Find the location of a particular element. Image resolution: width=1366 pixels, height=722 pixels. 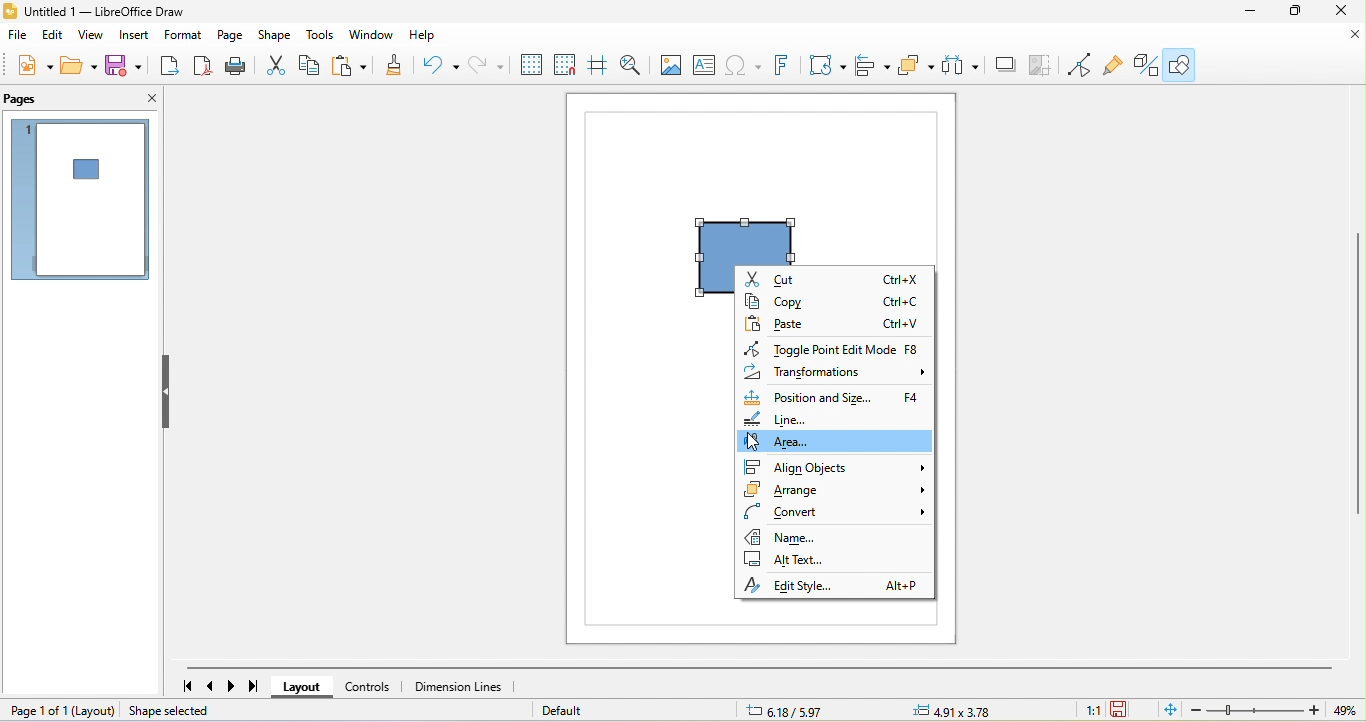

close is located at coordinates (1343, 12).